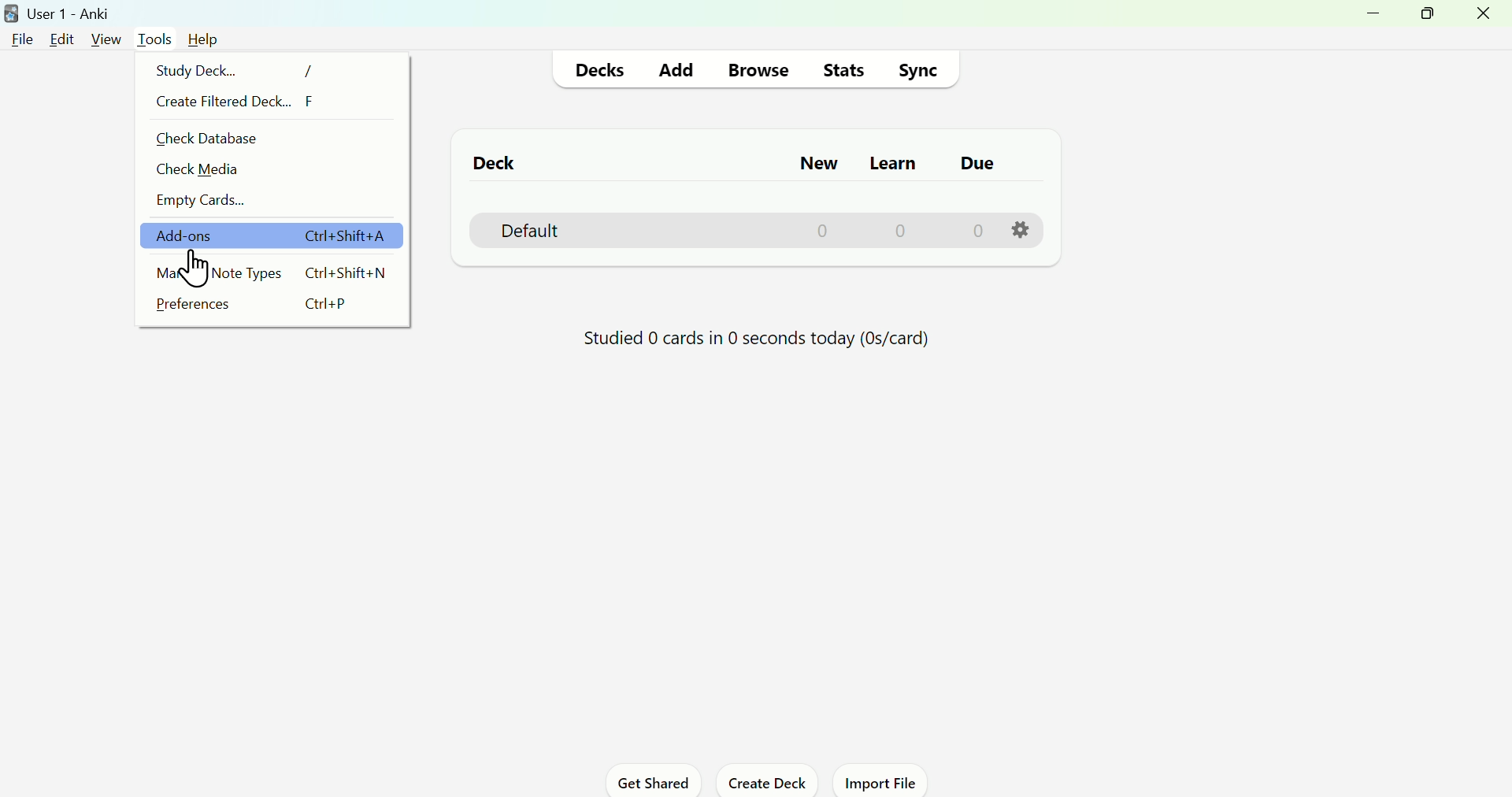 This screenshot has width=1512, height=797. Describe the element at coordinates (827, 161) in the screenshot. I see `New` at that location.